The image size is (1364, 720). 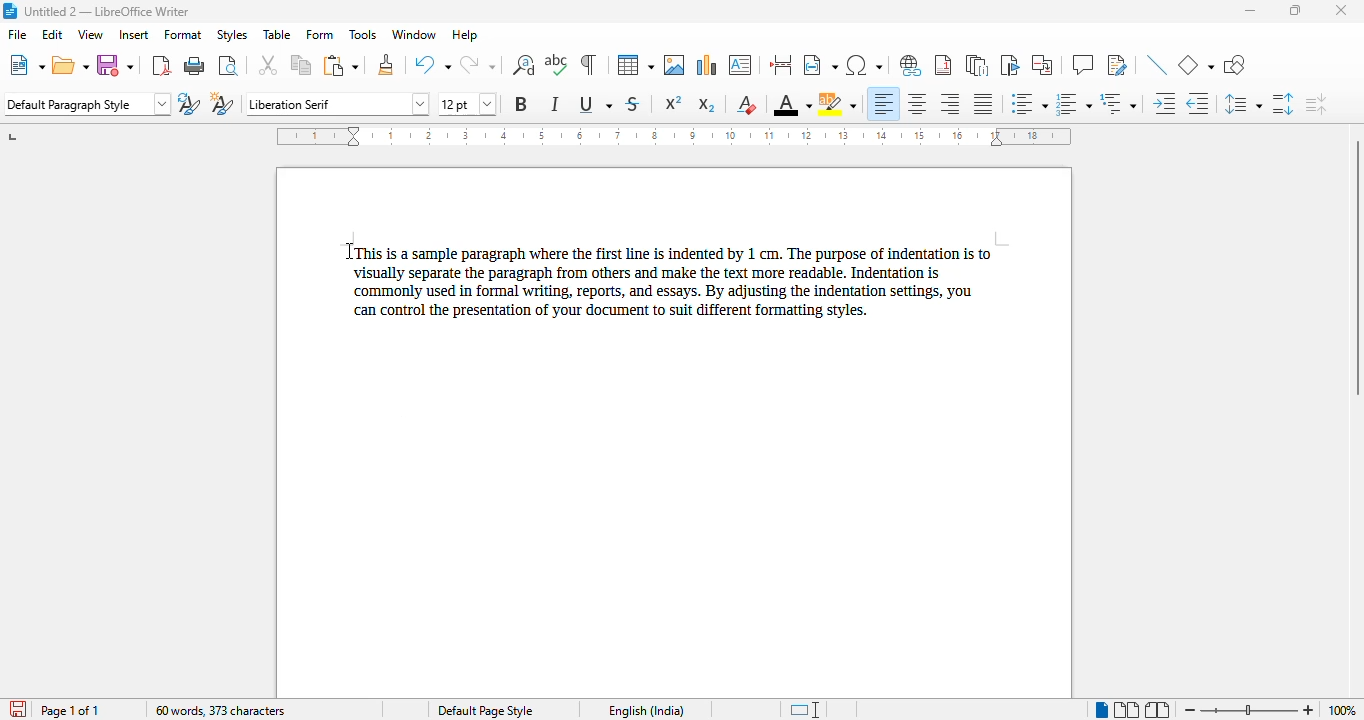 I want to click on justified, so click(x=984, y=103).